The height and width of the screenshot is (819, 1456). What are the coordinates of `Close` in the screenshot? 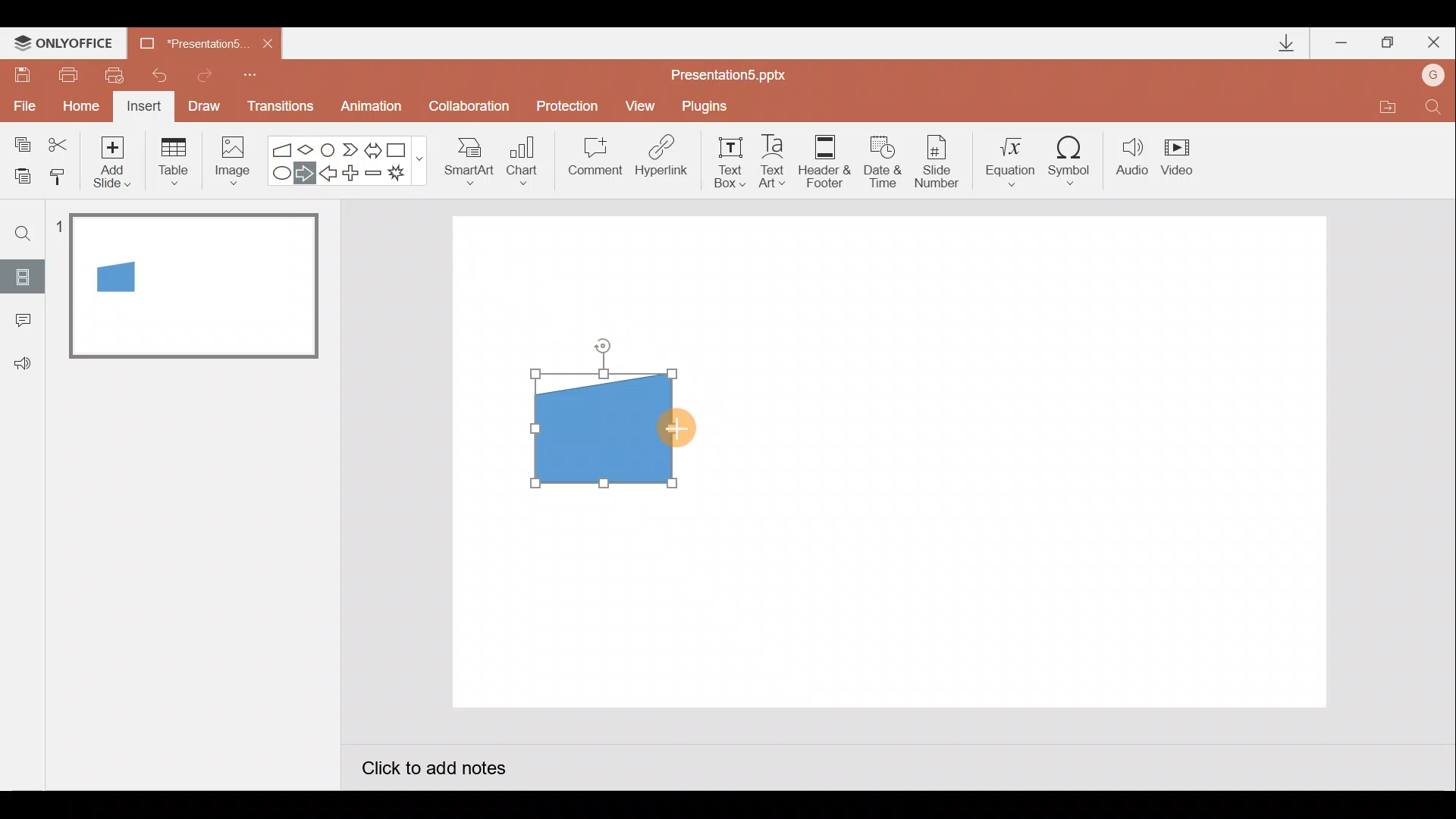 It's located at (268, 44).